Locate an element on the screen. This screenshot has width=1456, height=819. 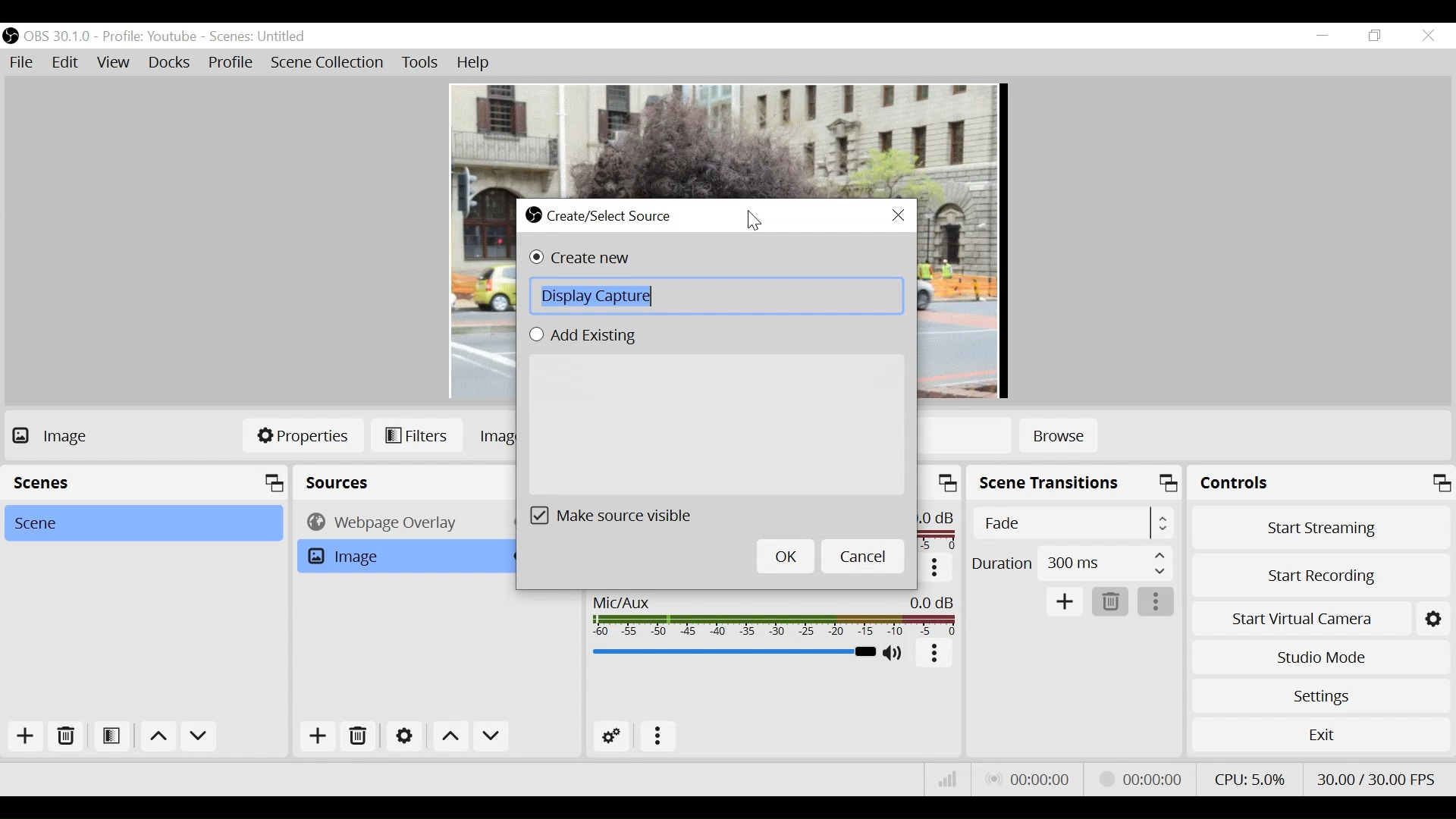
cursor is located at coordinates (754, 221).